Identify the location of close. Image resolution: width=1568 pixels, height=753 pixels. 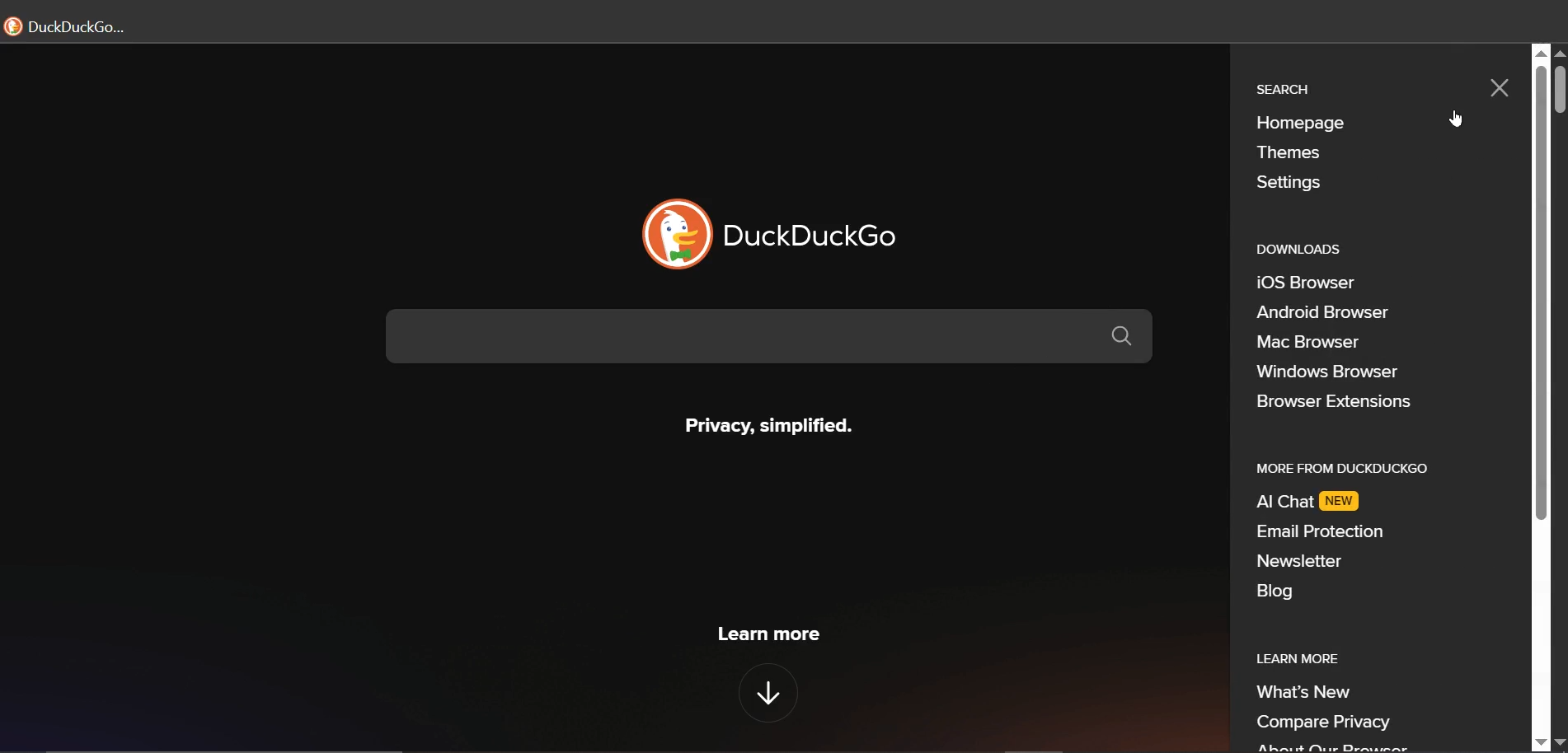
(1497, 89).